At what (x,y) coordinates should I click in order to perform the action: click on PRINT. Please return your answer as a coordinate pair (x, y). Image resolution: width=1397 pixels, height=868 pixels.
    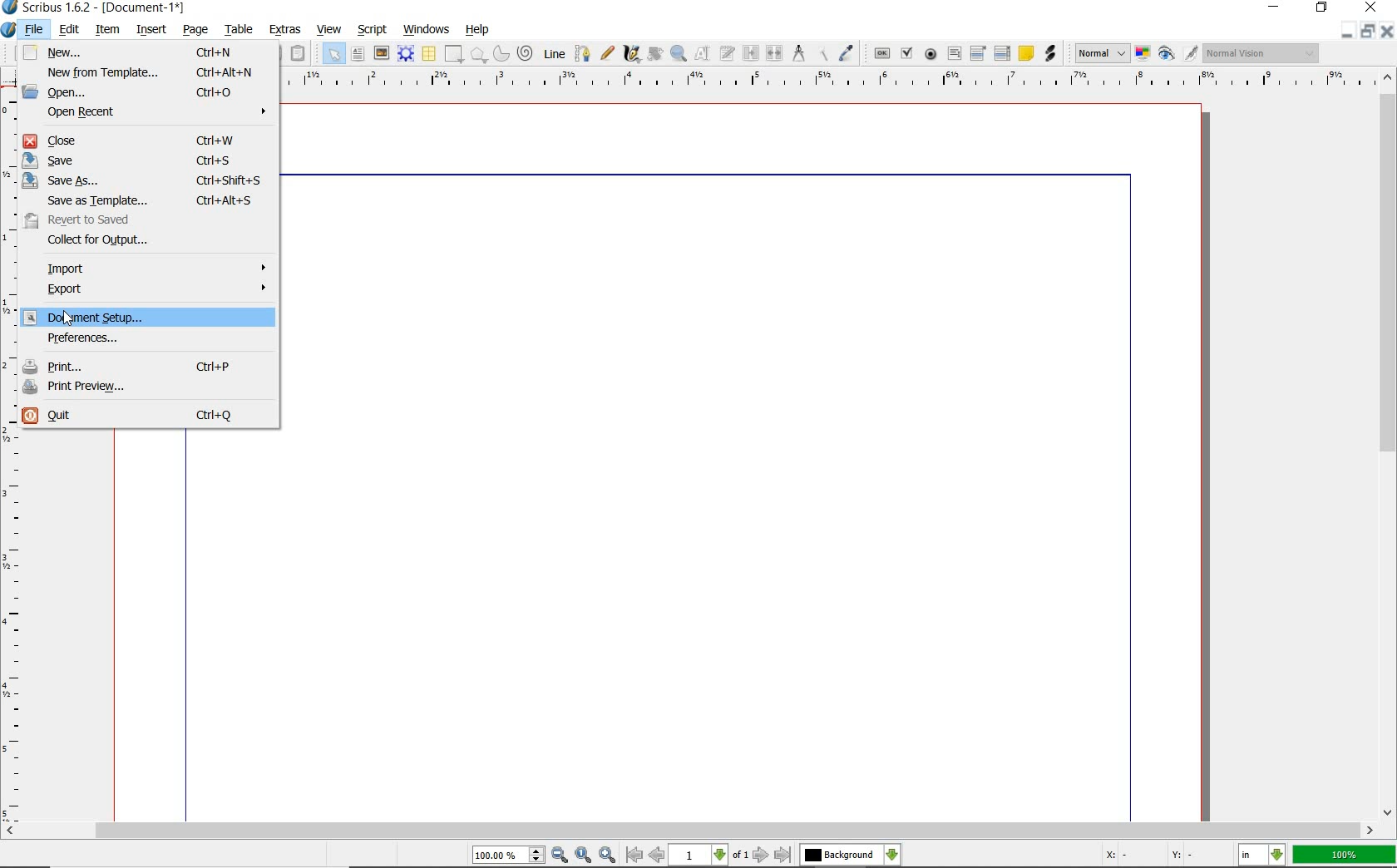
    Looking at the image, I should click on (150, 364).